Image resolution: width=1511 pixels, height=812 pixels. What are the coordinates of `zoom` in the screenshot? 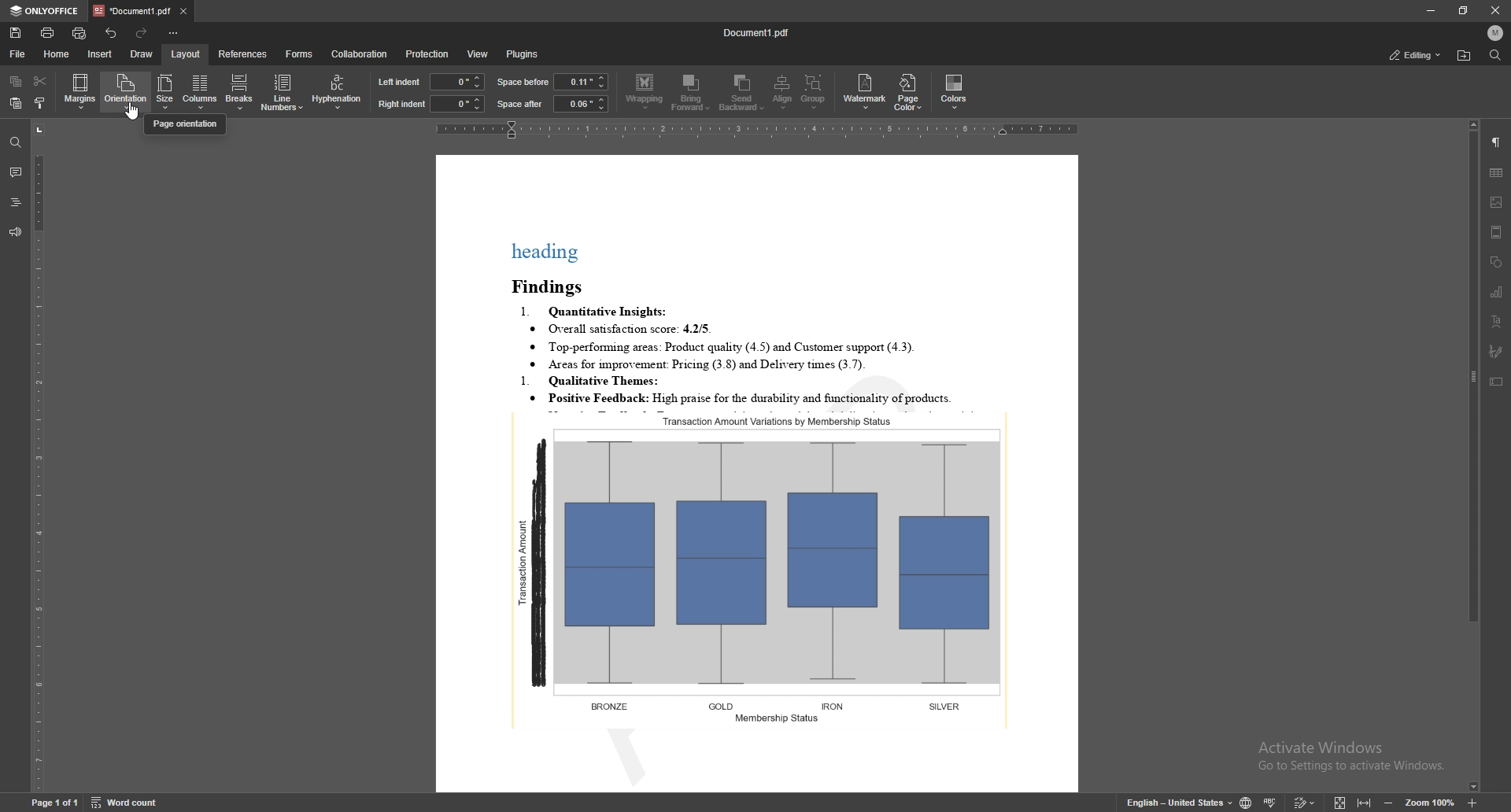 It's located at (1430, 803).